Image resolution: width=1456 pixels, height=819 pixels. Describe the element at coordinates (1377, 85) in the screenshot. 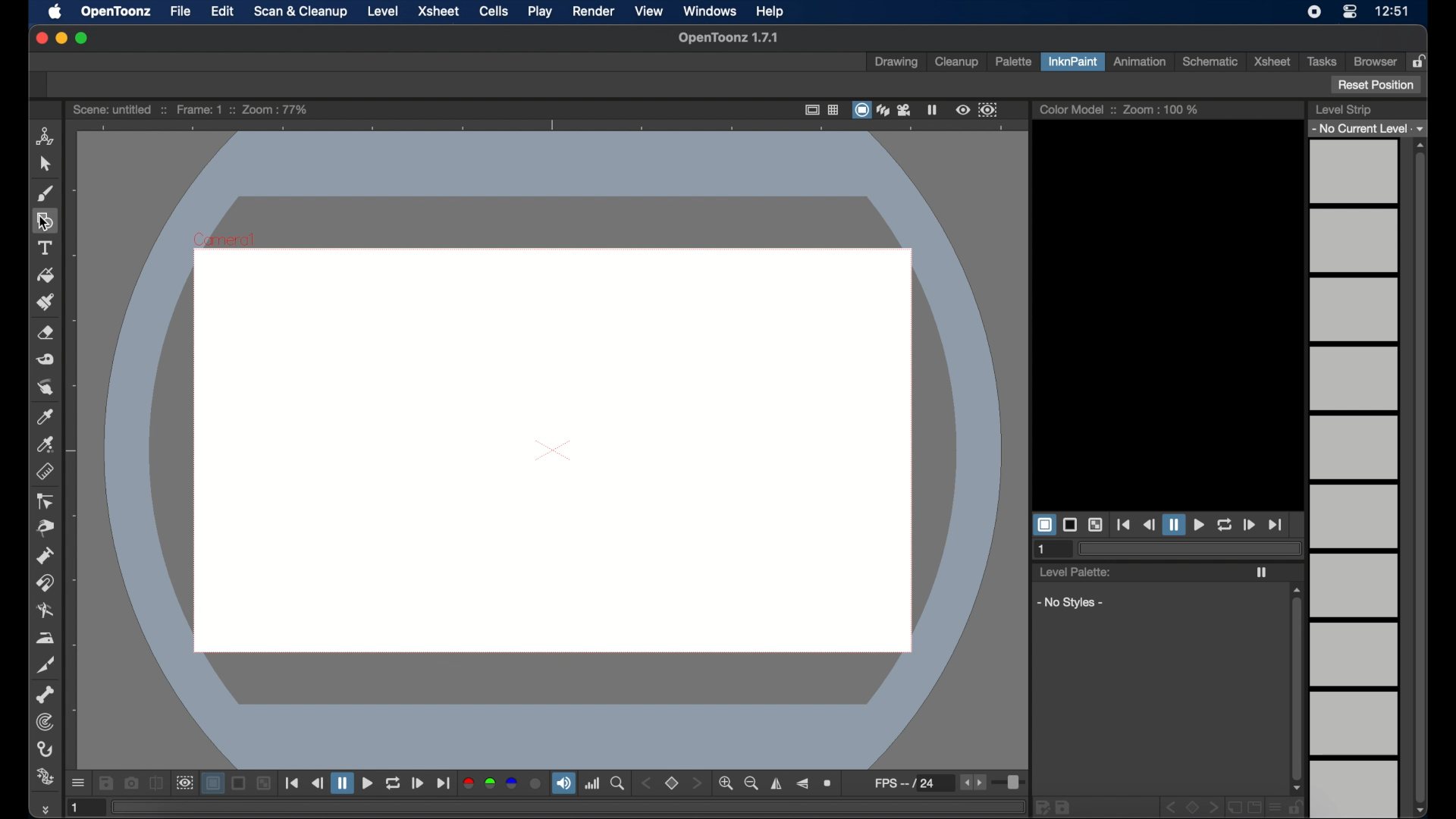

I see `reset position` at that location.